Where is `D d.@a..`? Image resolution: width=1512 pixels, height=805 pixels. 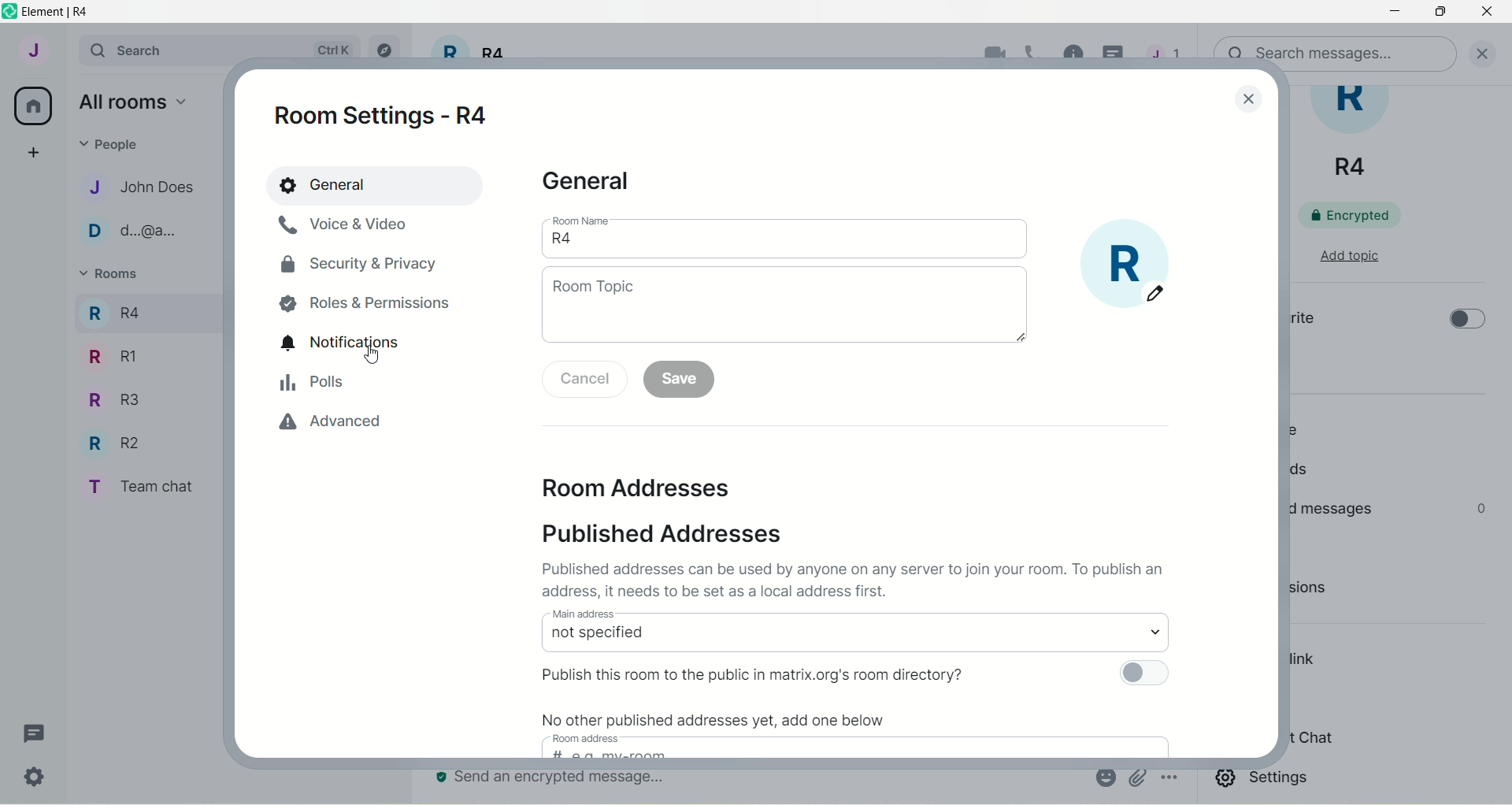 D d.@a.. is located at coordinates (127, 231).